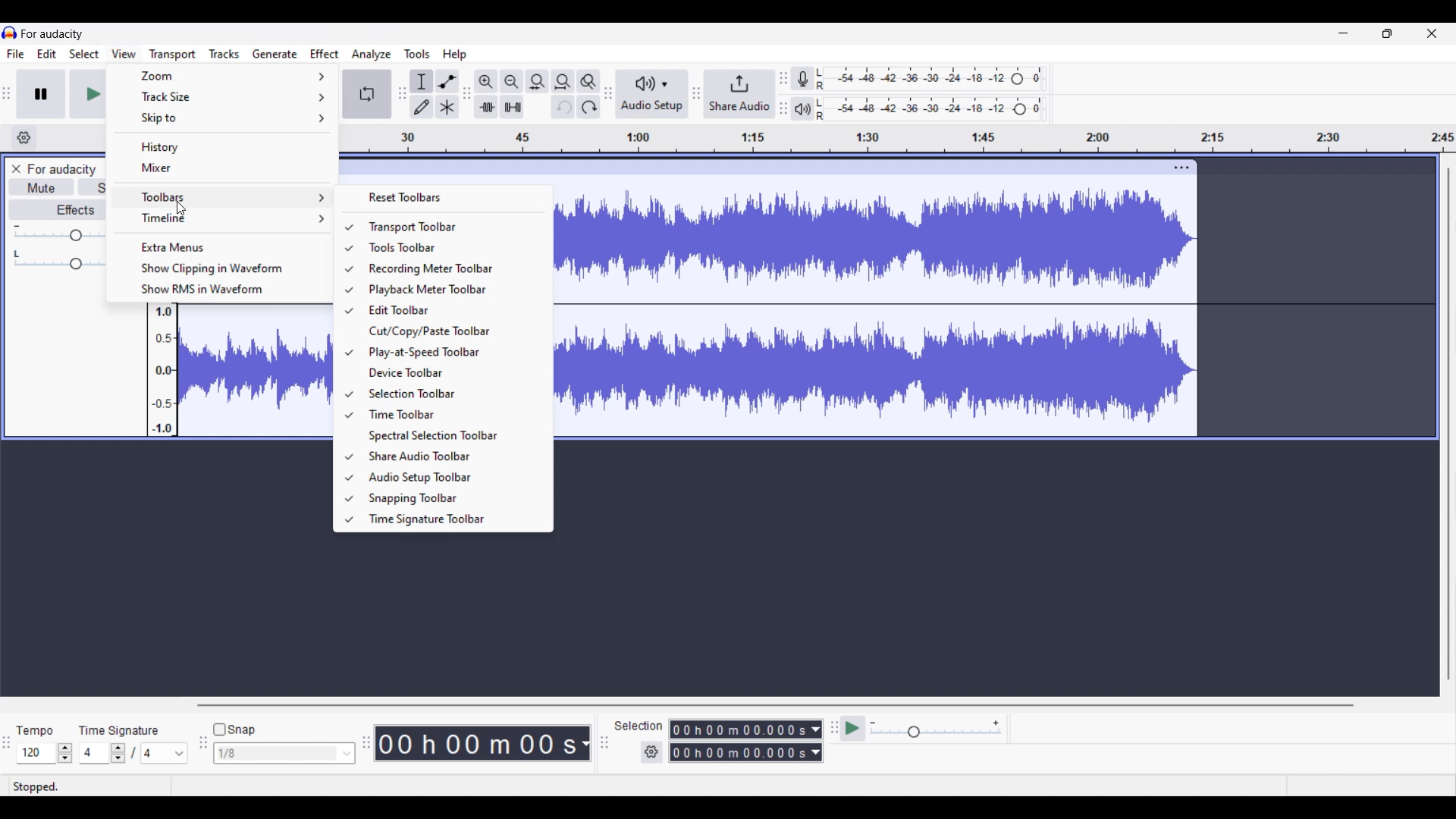 The width and height of the screenshot is (1456, 819). I want to click on Show clipping in waveform, so click(221, 268).